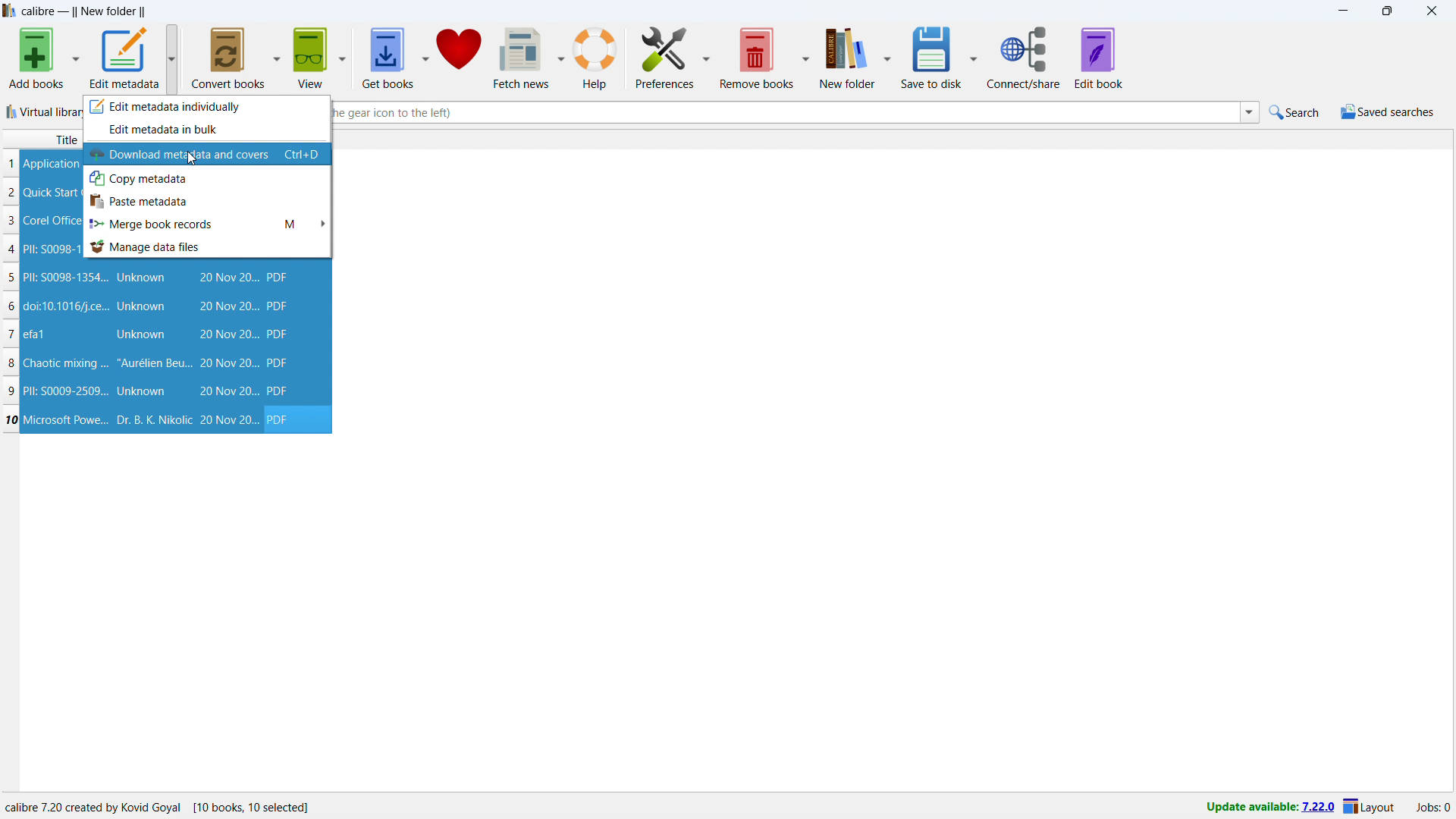 This screenshot has width=1456, height=819. I want to click on PDF, so click(283, 419).